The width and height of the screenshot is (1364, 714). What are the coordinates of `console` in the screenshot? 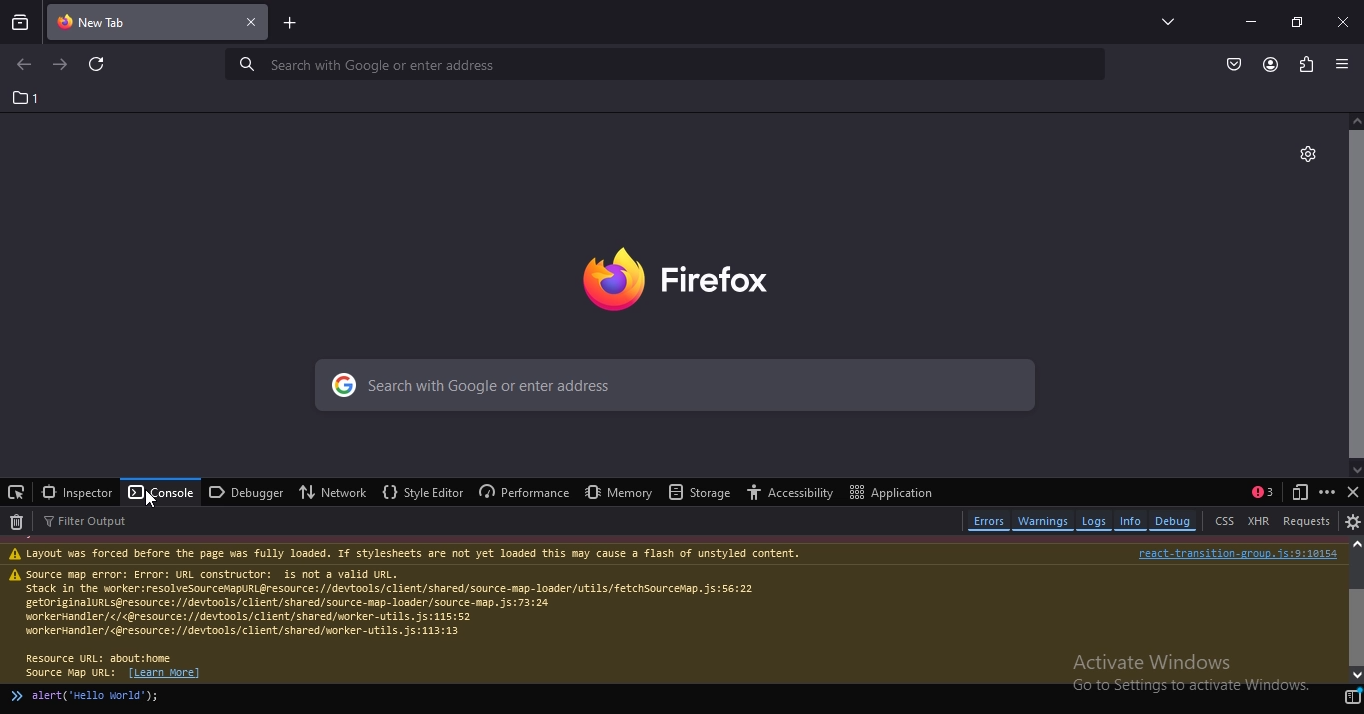 It's located at (160, 492).